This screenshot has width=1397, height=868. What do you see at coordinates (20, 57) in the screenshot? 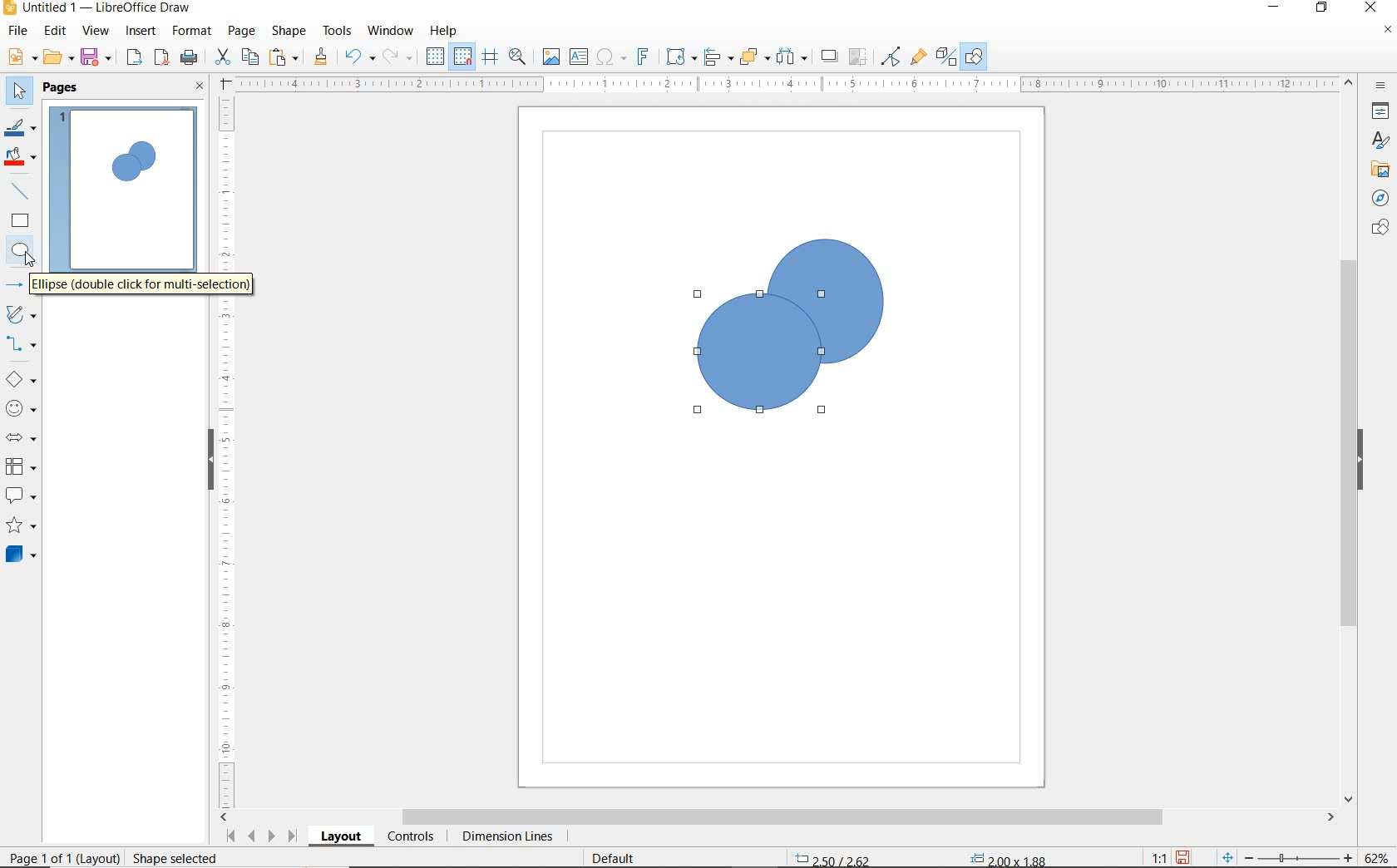
I see `NEW` at bounding box center [20, 57].